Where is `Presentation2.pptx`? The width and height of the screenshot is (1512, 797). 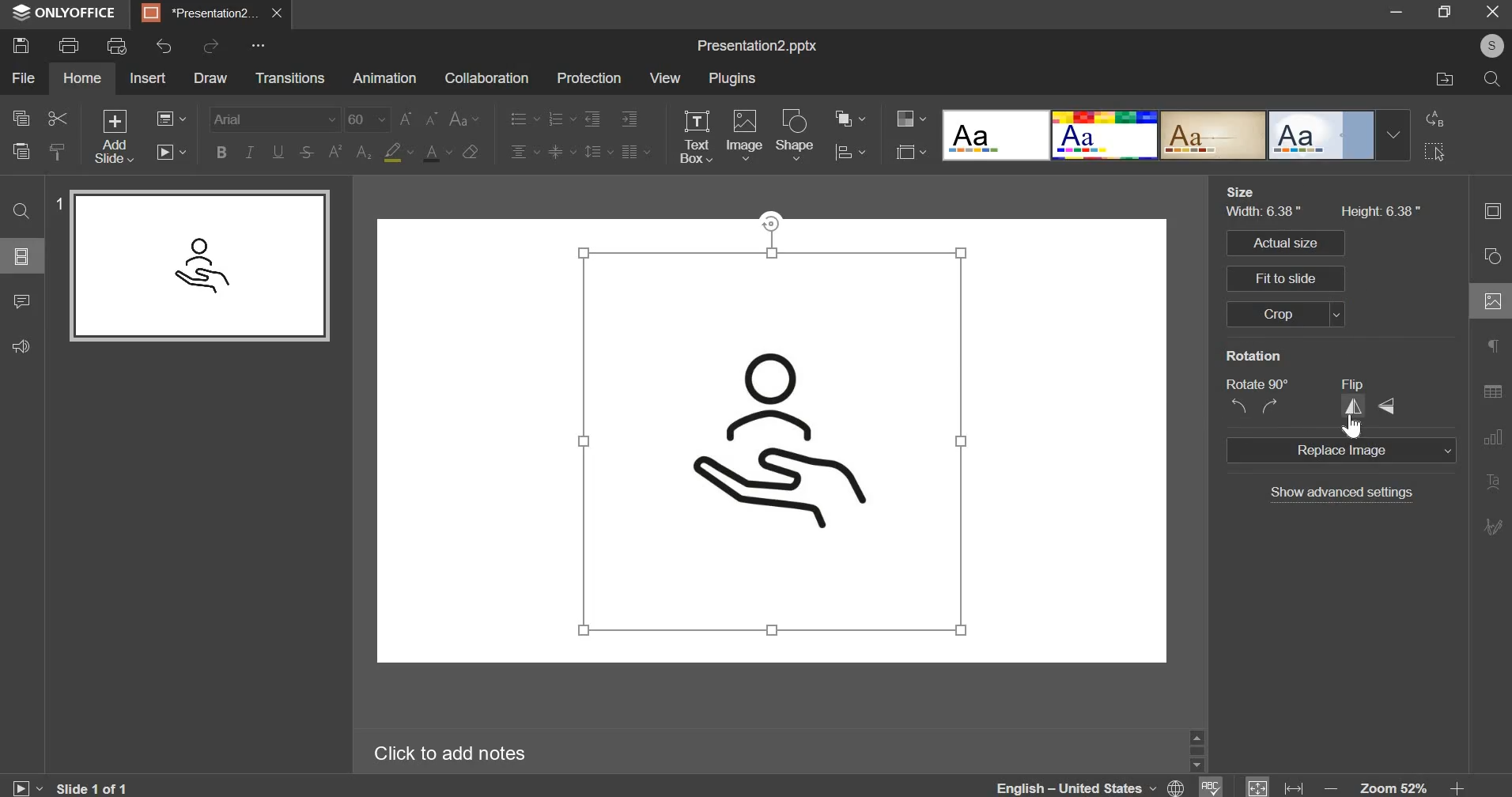
Presentation2.pptx is located at coordinates (754, 46).